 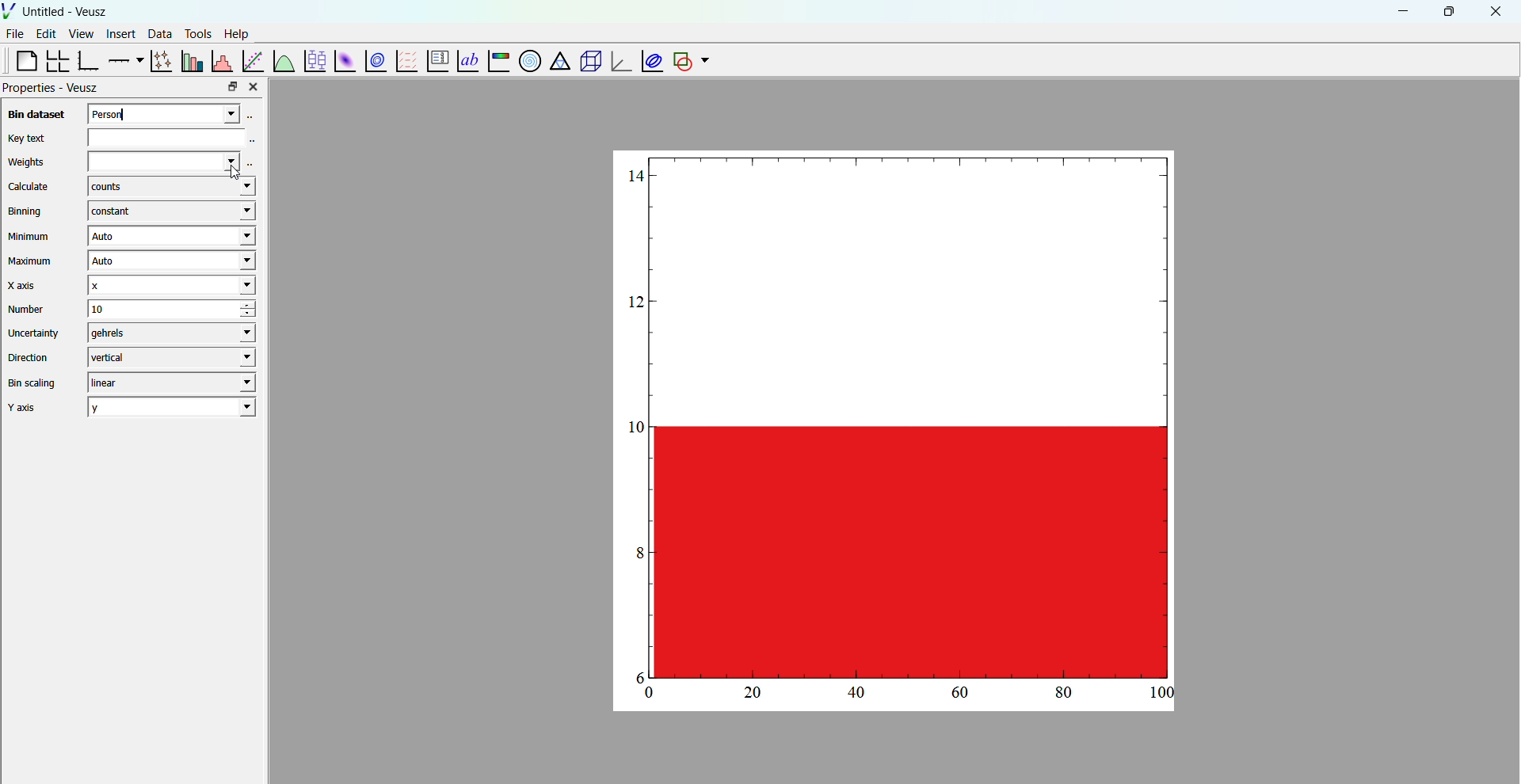 I want to click on edit, so click(x=48, y=34).